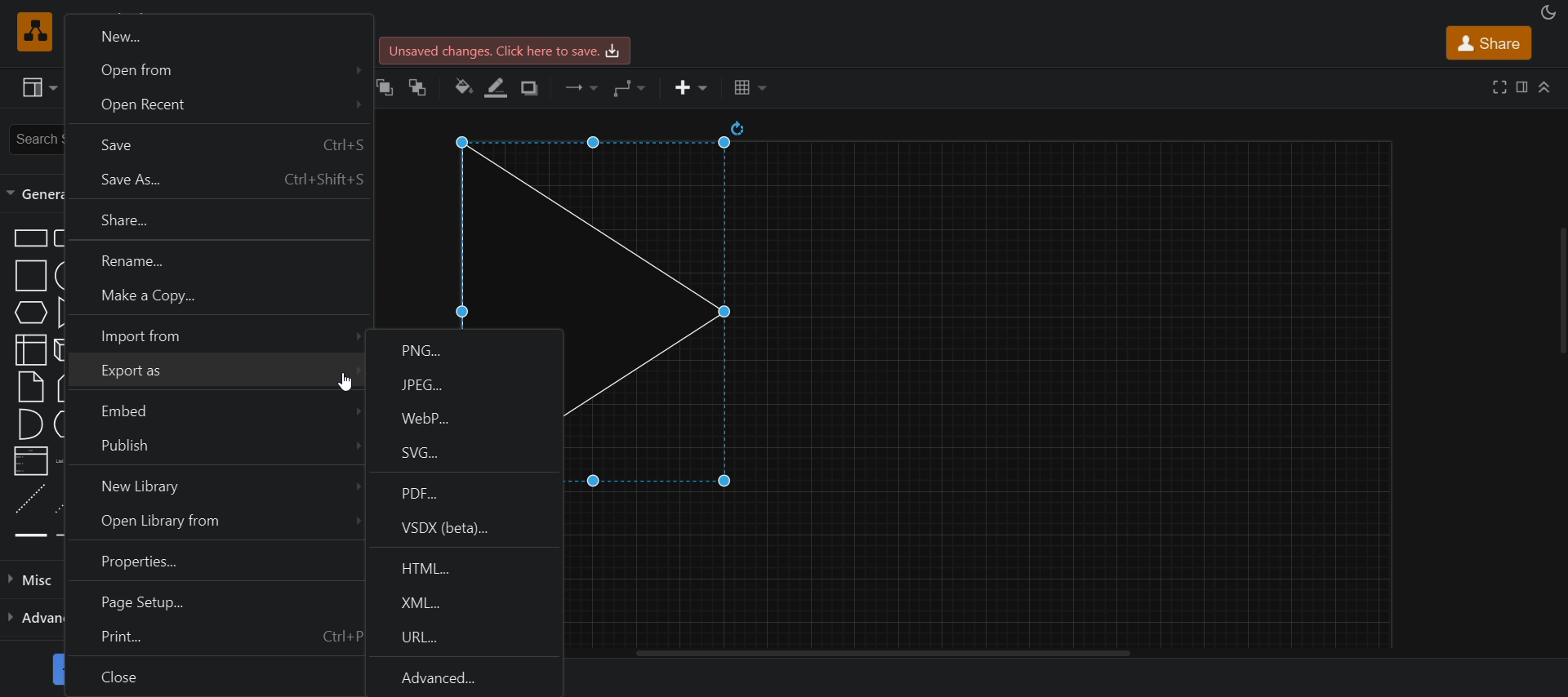 This screenshot has height=697, width=1568. Describe the element at coordinates (689, 89) in the screenshot. I see `insert` at that location.